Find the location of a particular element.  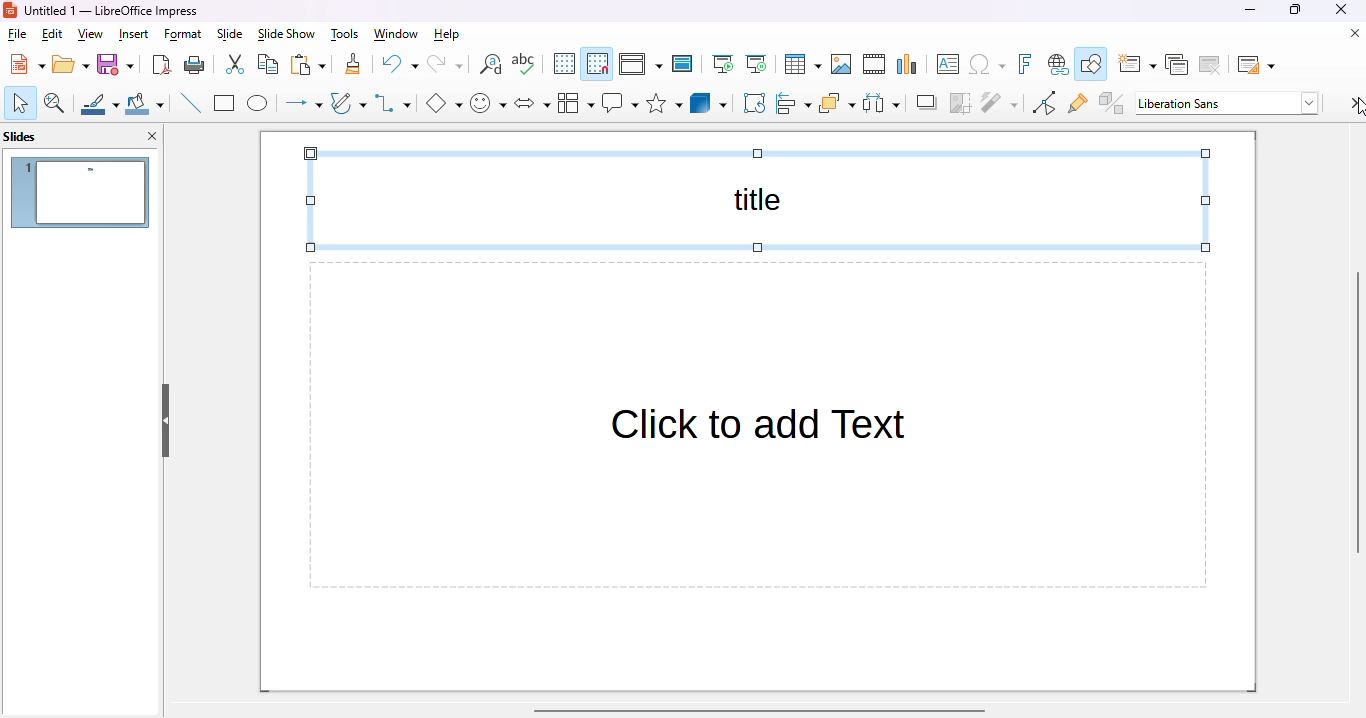

slide show is located at coordinates (287, 34).